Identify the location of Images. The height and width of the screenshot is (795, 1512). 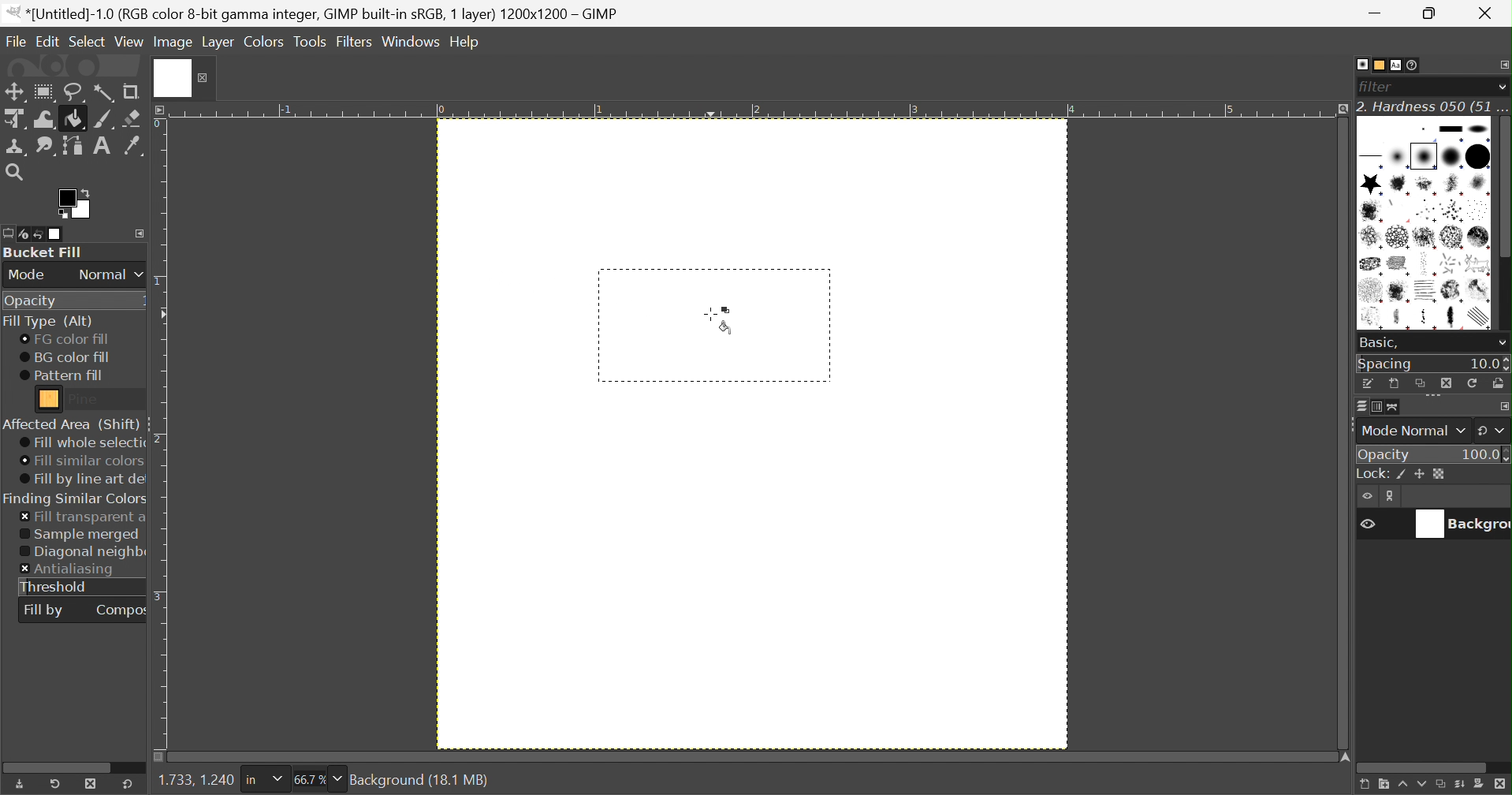
(57, 234).